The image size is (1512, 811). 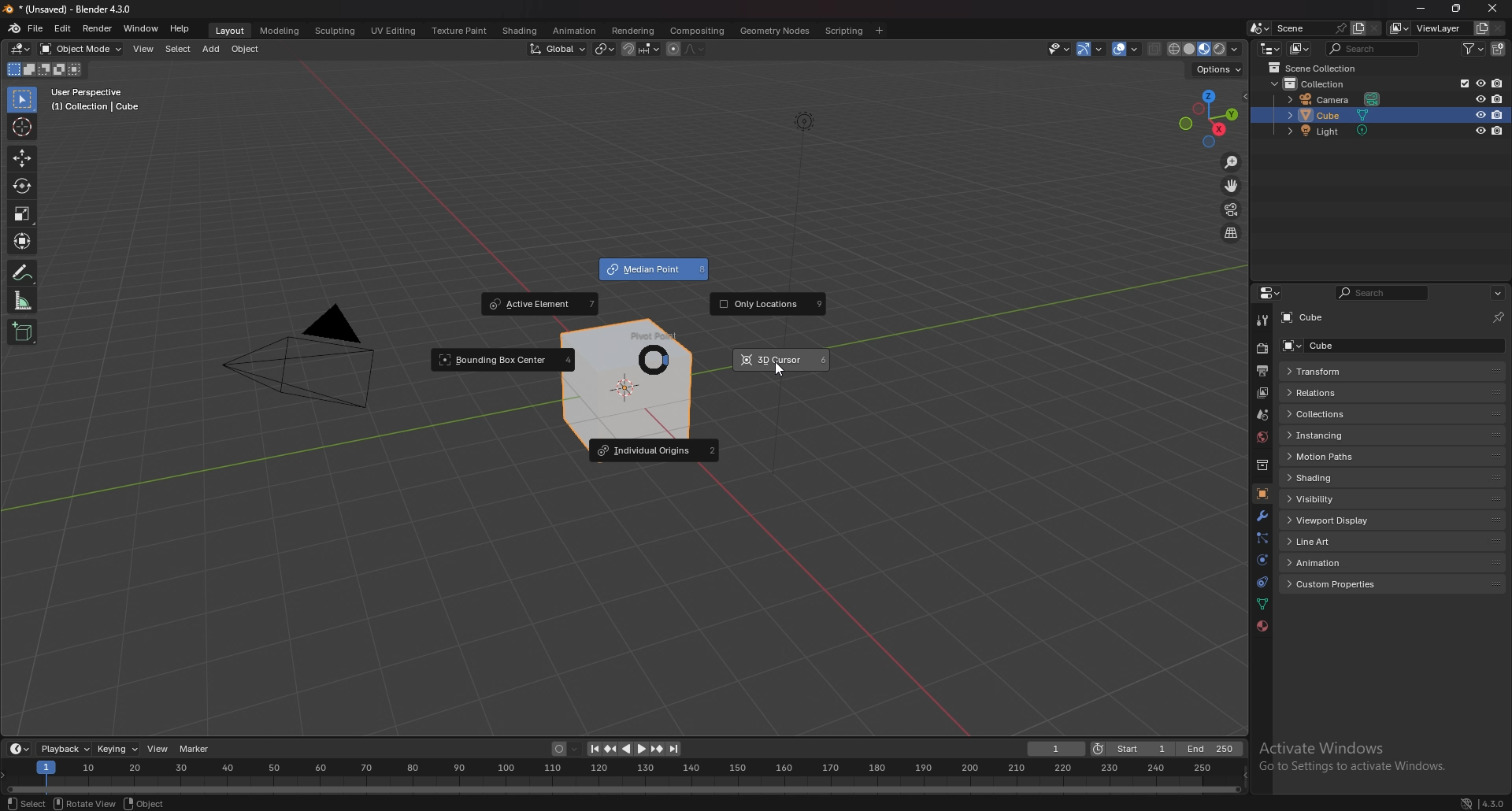 What do you see at coordinates (97, 28) in the screenshot?
I see `render` at bounding box center [97, 28].